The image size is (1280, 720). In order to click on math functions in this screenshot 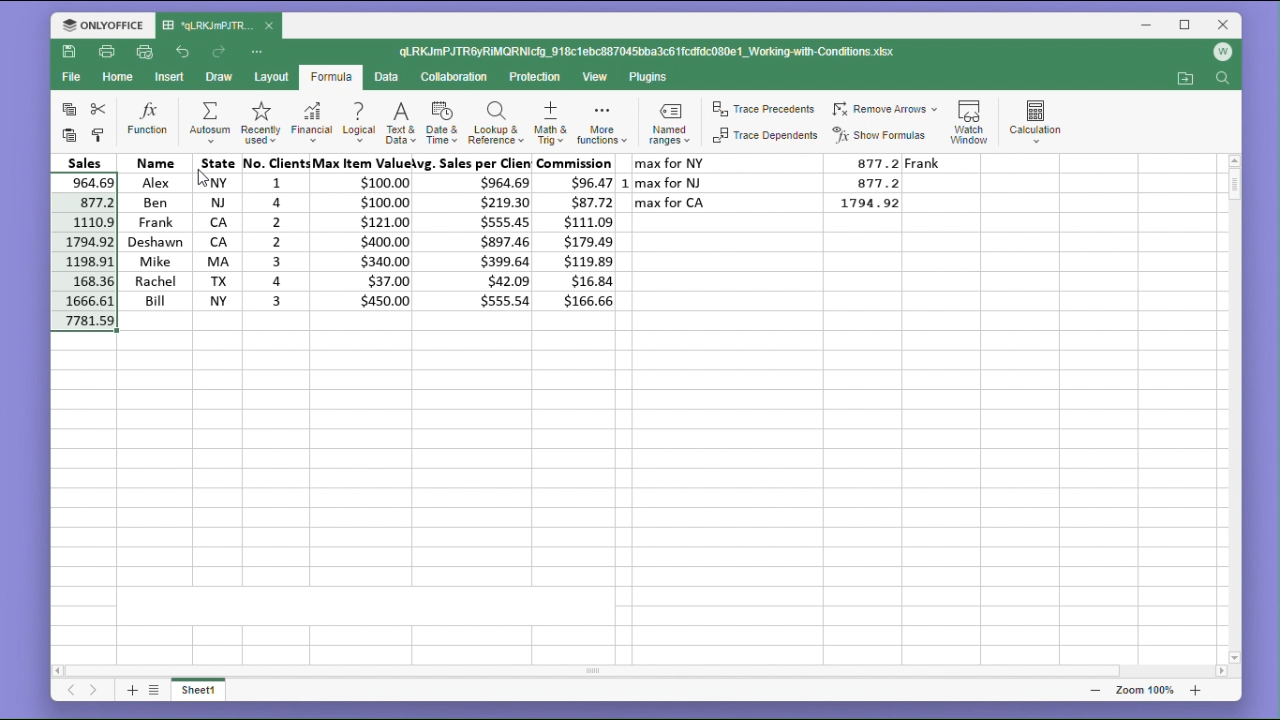, I will do `click(601, 125)`.